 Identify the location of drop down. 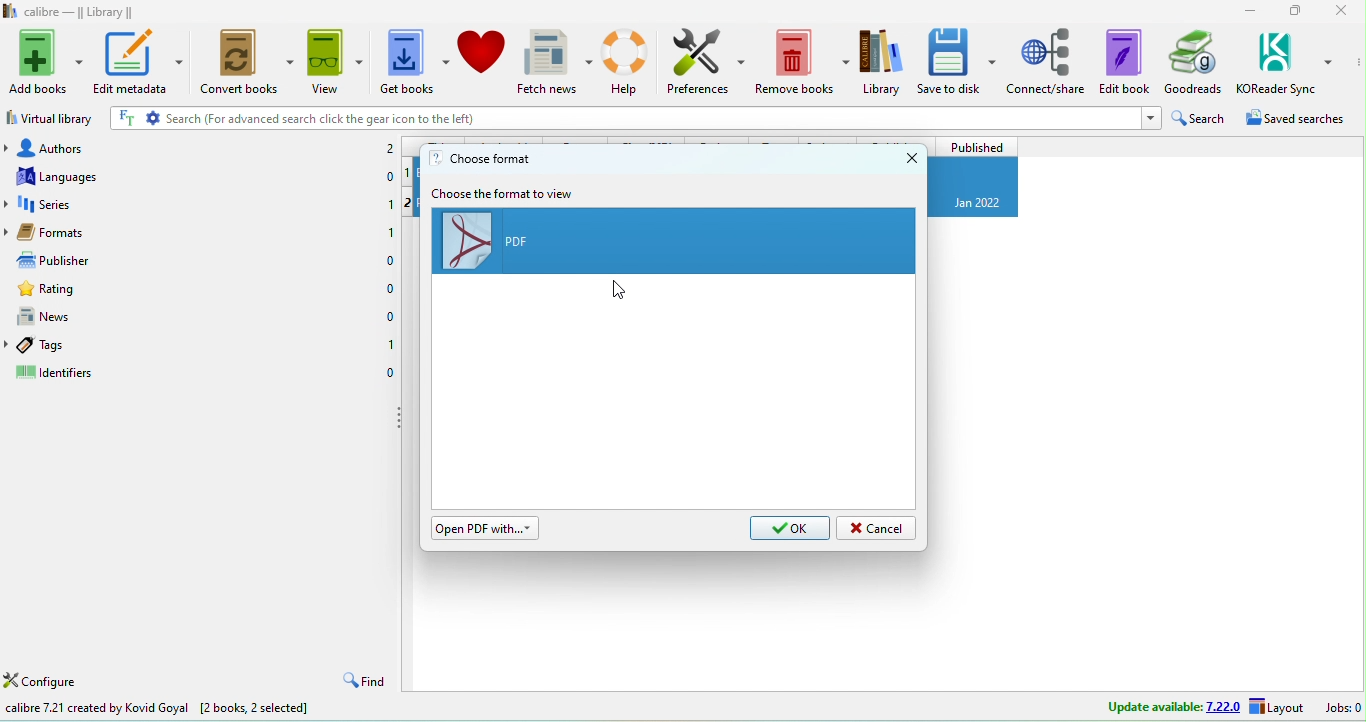
(9, 147).